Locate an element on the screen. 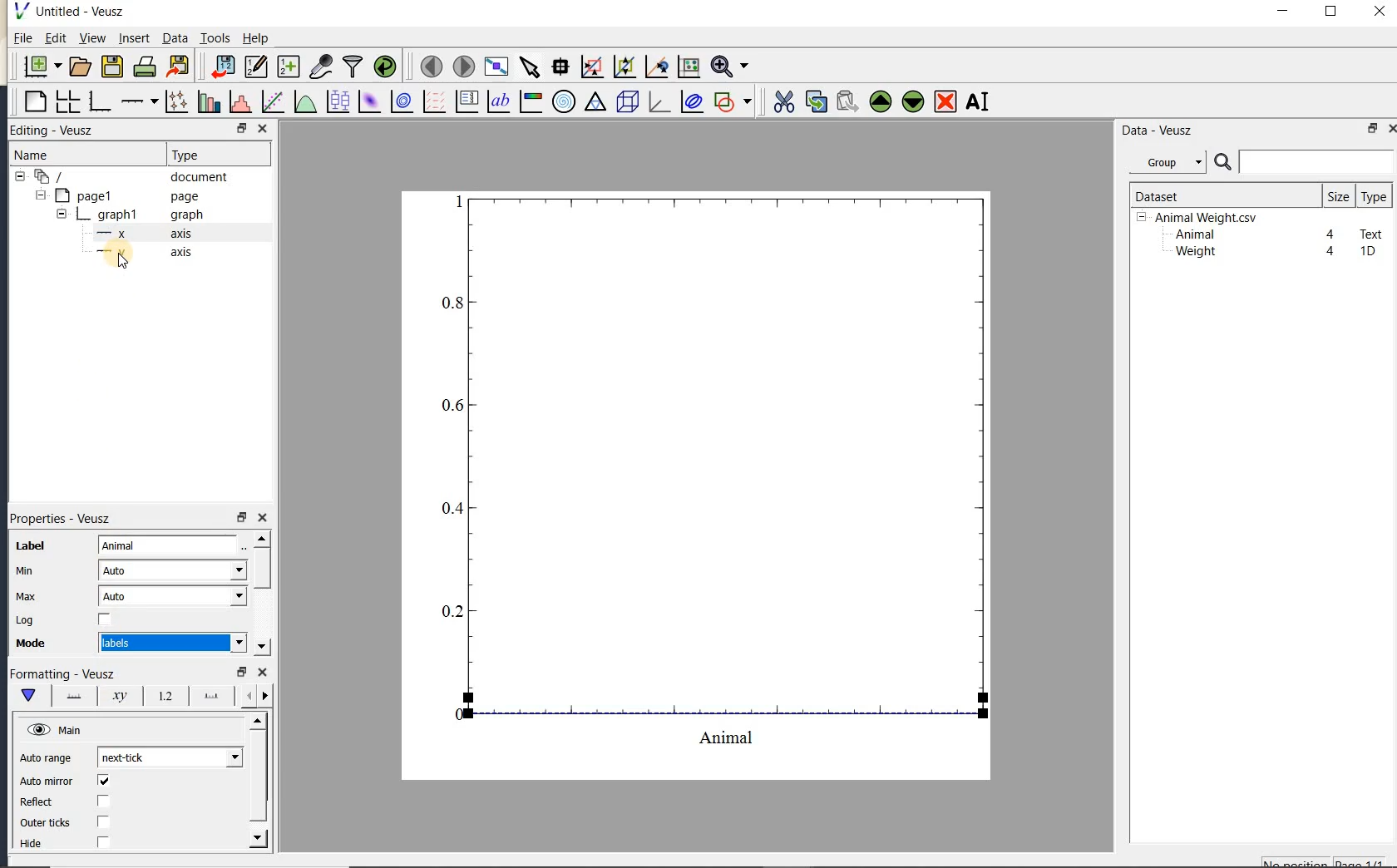 Image resolution: width=1397 pixels, height=868 pixels. close is located at coordinates (262, 518).